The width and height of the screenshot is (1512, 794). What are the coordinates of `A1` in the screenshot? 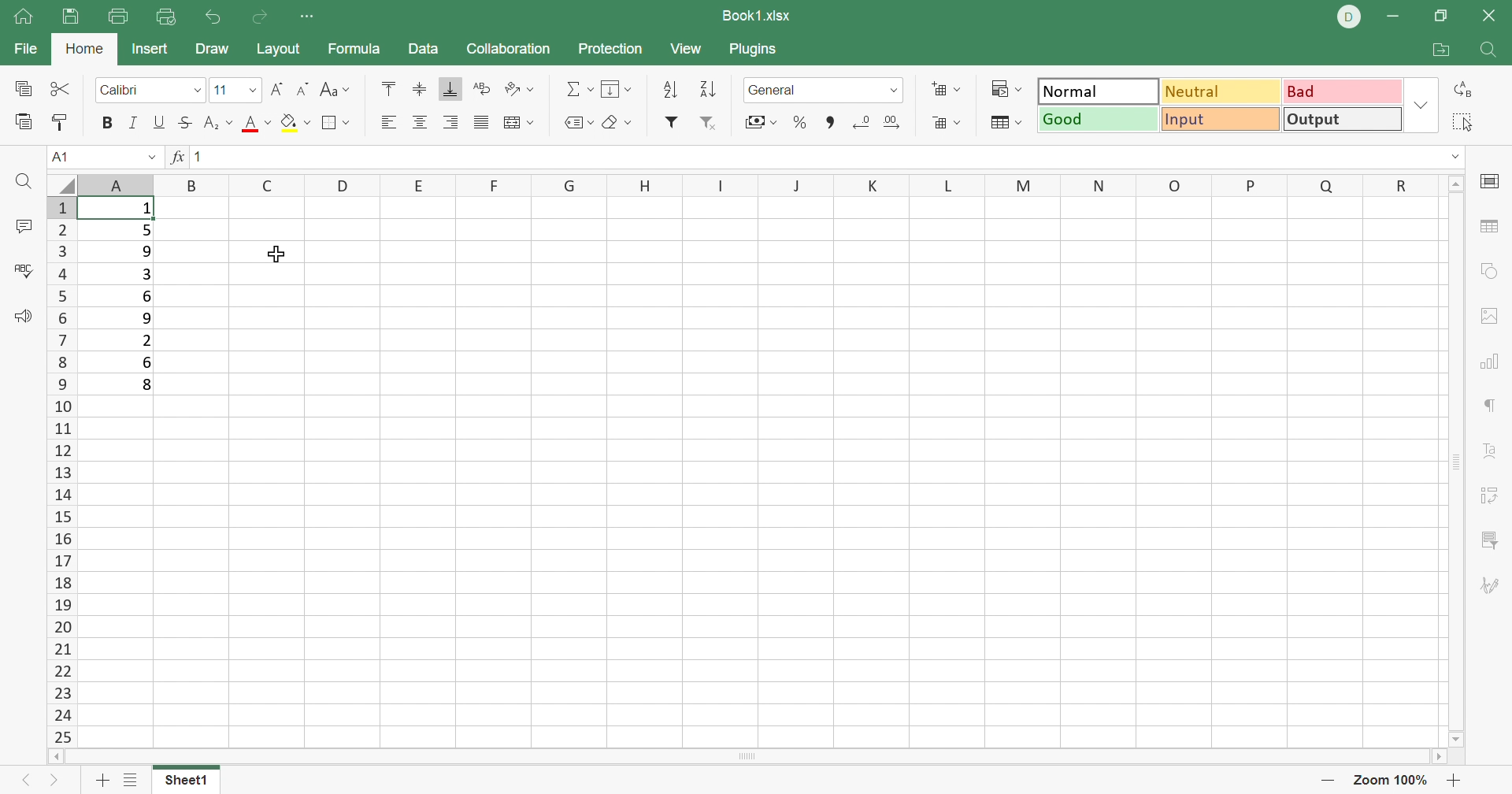 It's located at (67, 157).